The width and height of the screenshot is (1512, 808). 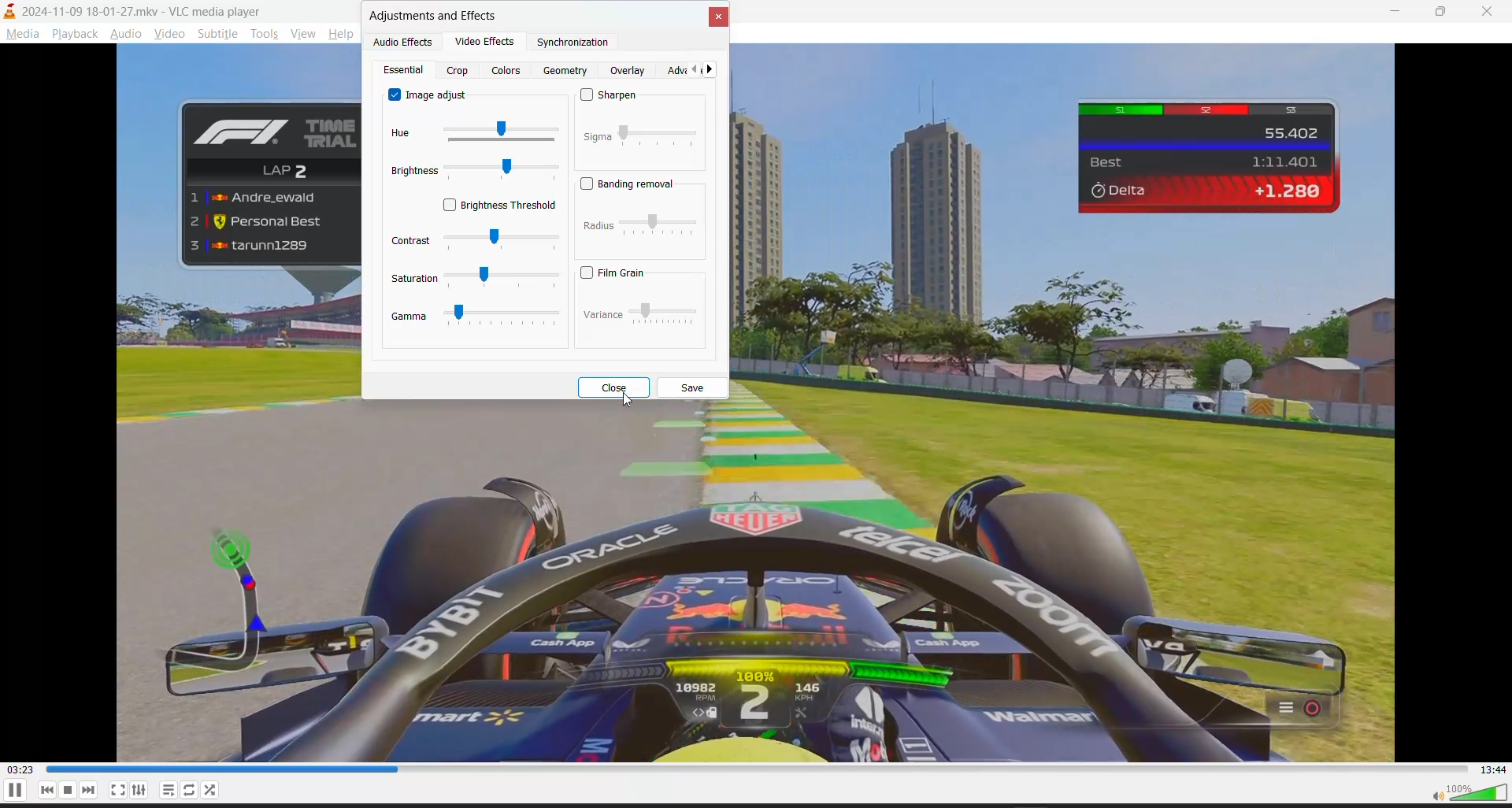 What do you see at coordinates (14, 790) in the screenshot?
I see `pause` at bounding box center [14, 790].